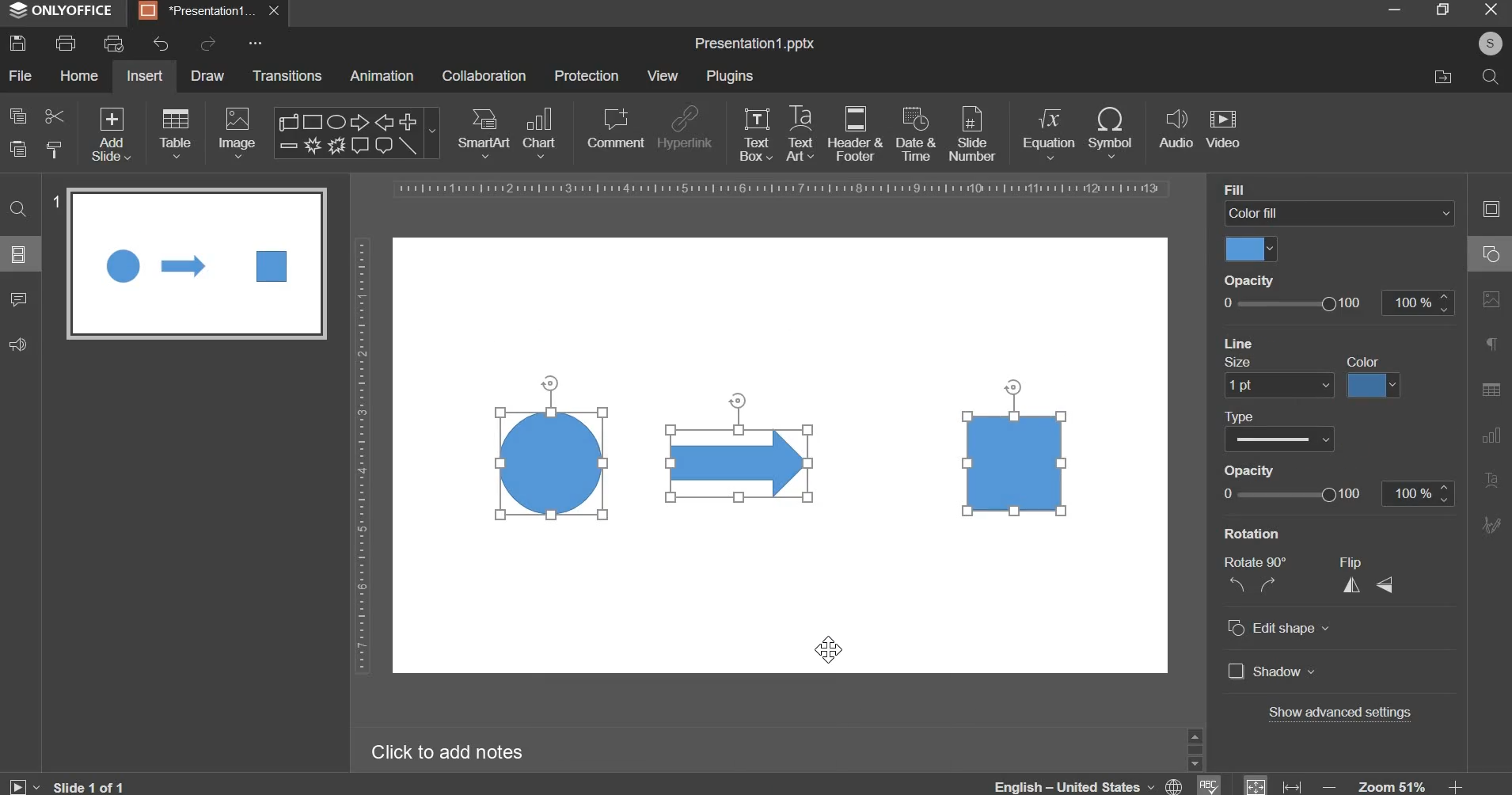 The width and height of the screenshot is (1512, 795). I want to click on line, so click(1242, 342).